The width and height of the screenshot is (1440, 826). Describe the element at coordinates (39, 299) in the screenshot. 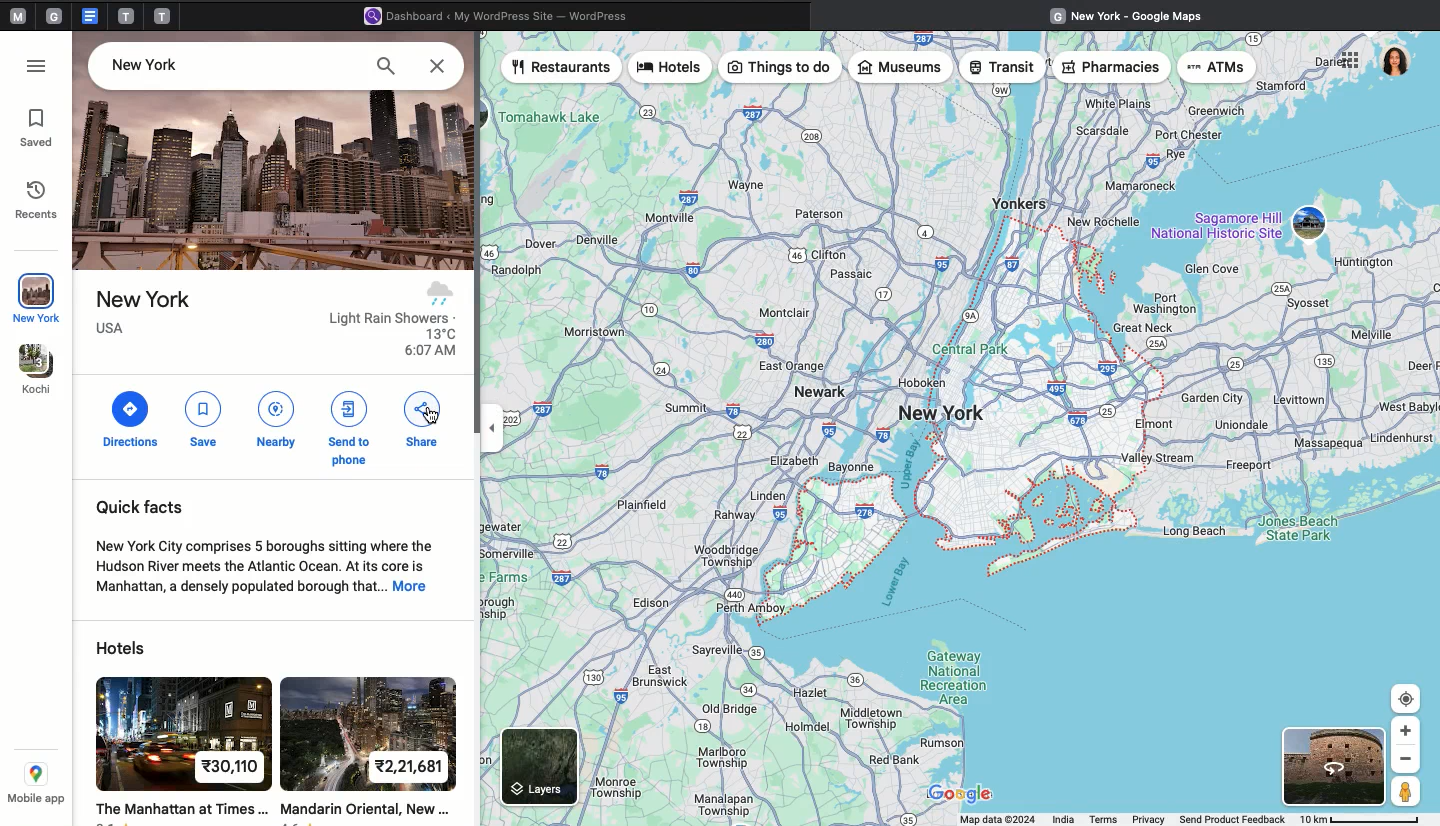

I see `New York` at that location.